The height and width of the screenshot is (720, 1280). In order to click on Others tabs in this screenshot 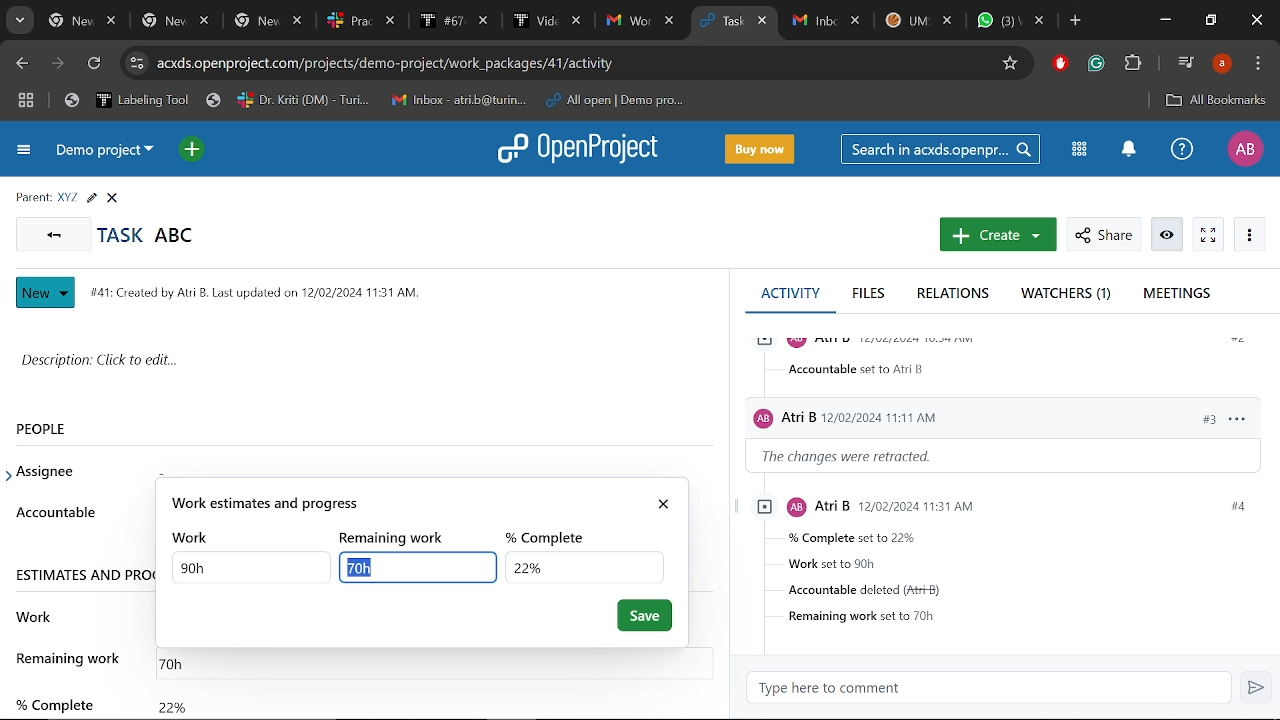, I will do `click(363, 21)`.